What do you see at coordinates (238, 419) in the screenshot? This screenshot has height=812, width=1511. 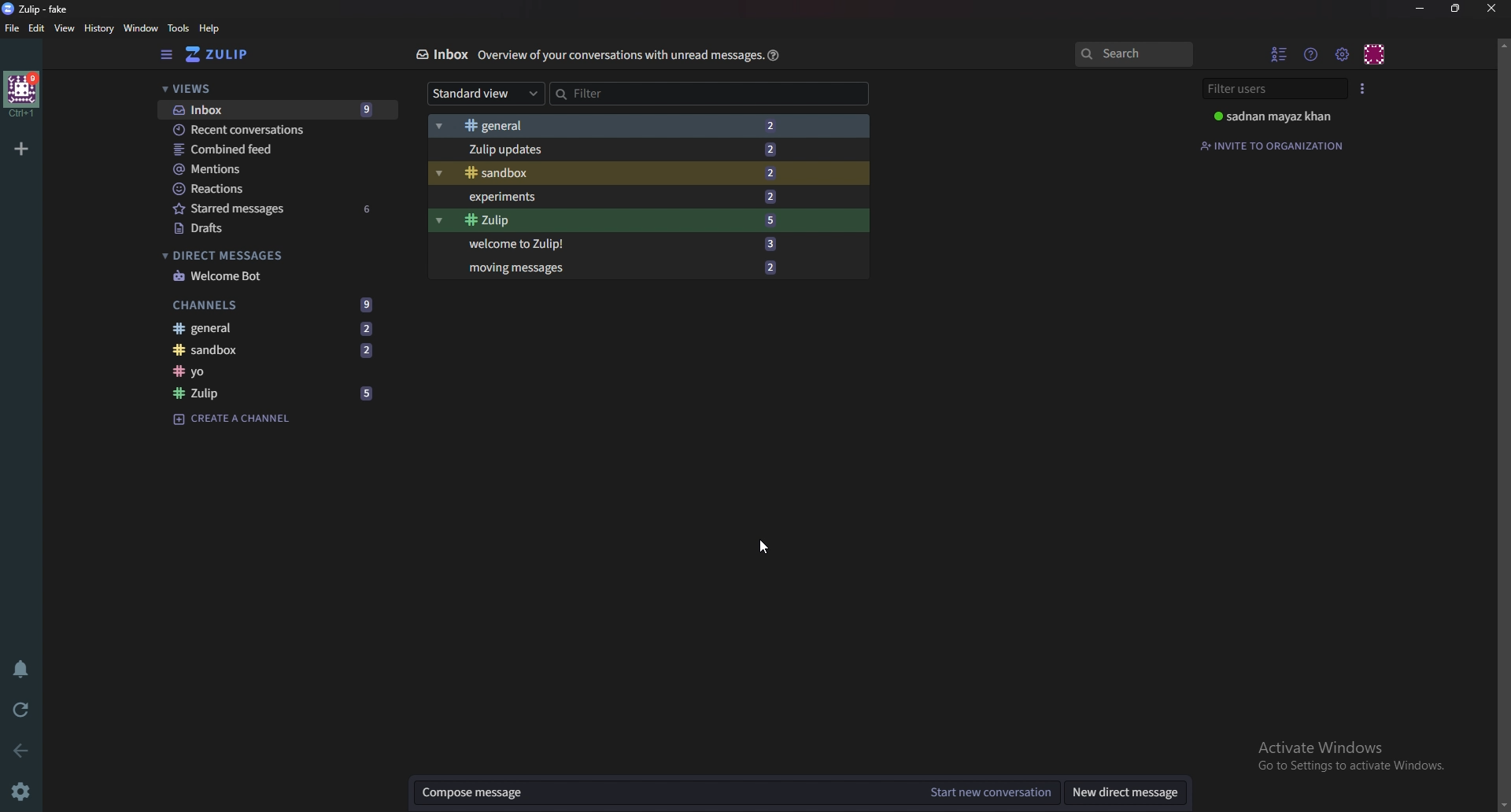 I see `Create a channel` at bounding box center [238, 419].